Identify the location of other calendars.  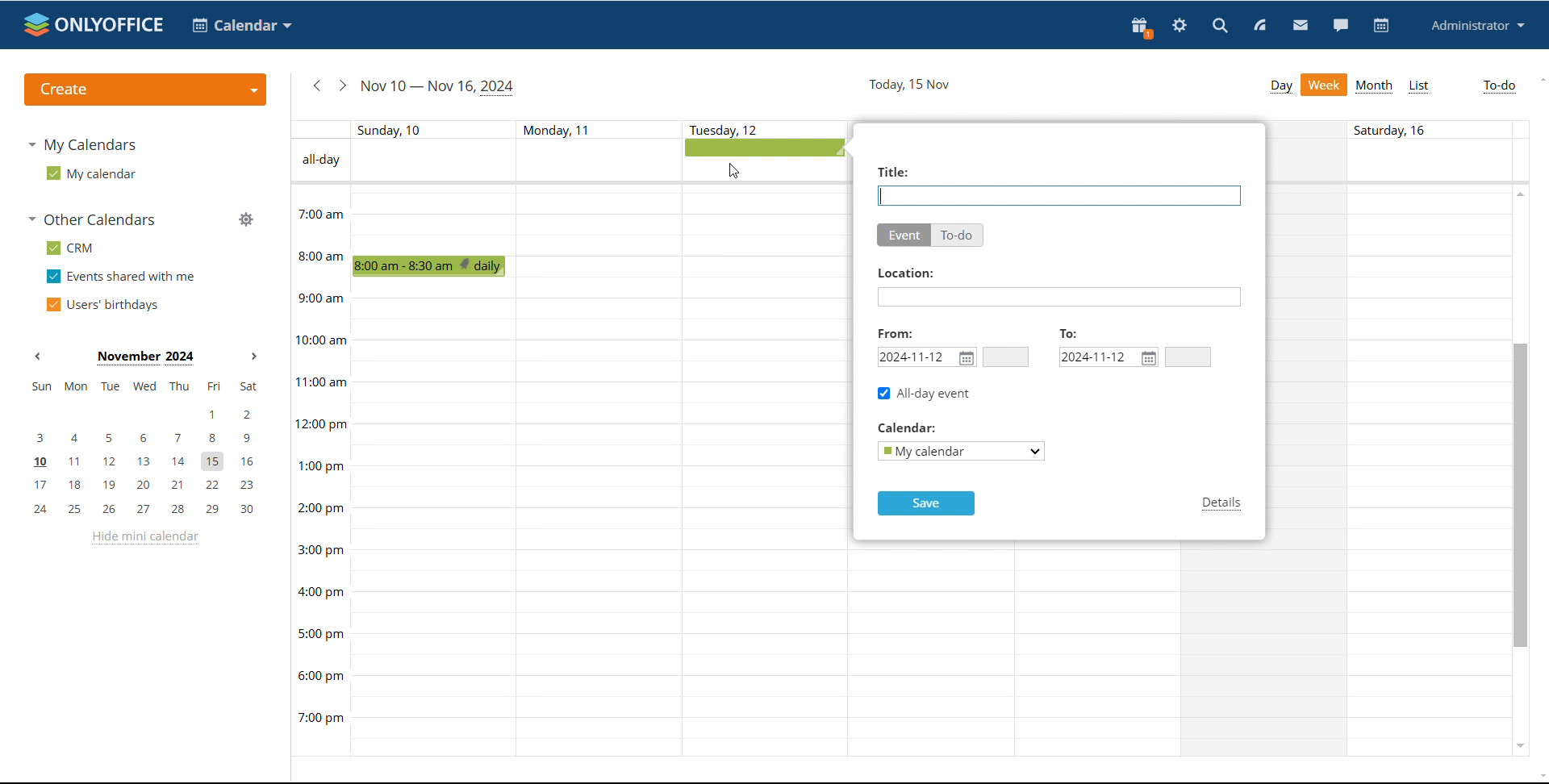
(94, 220).